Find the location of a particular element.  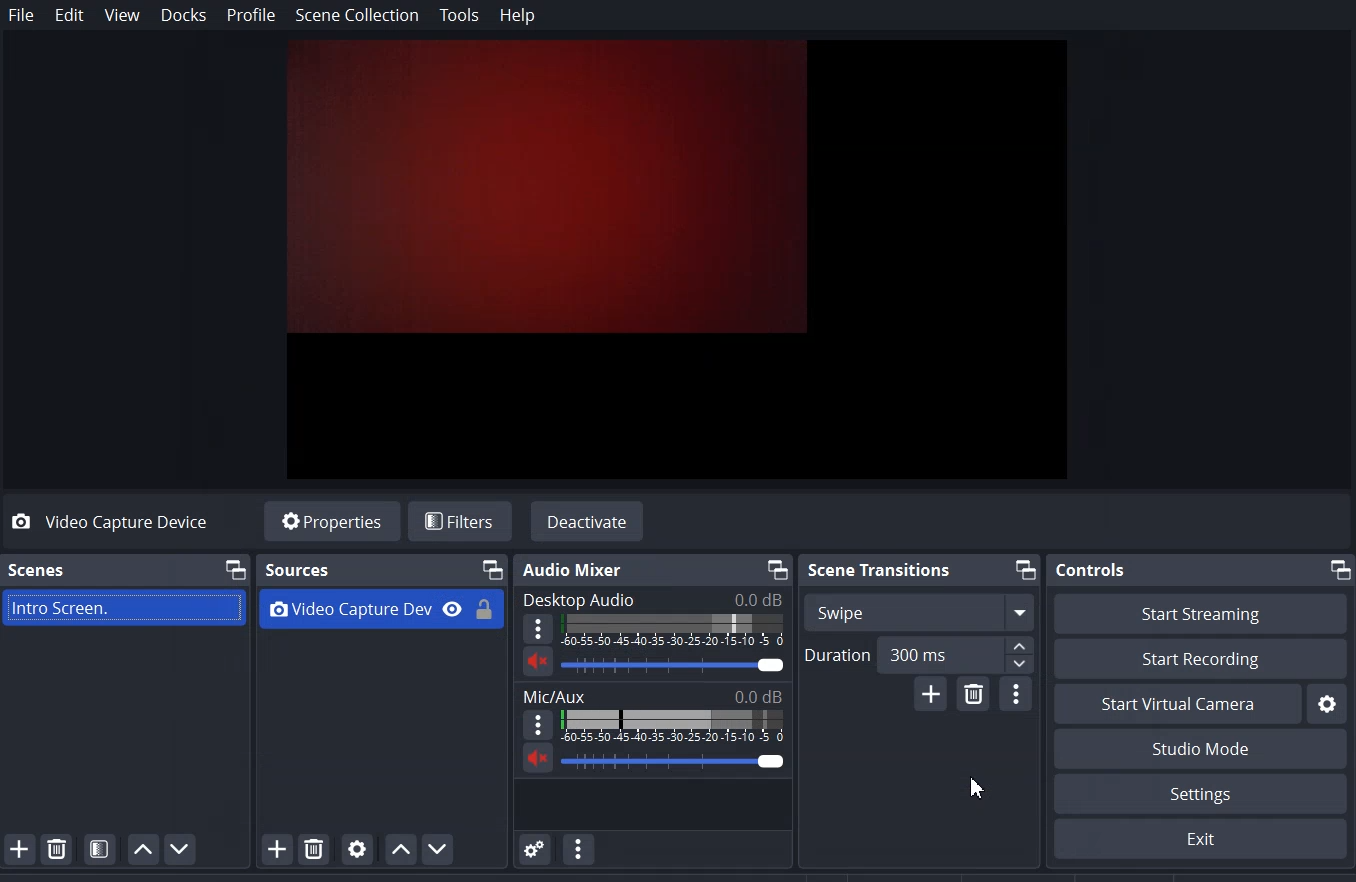

Open scene filter is located at coordinates (100, 849).